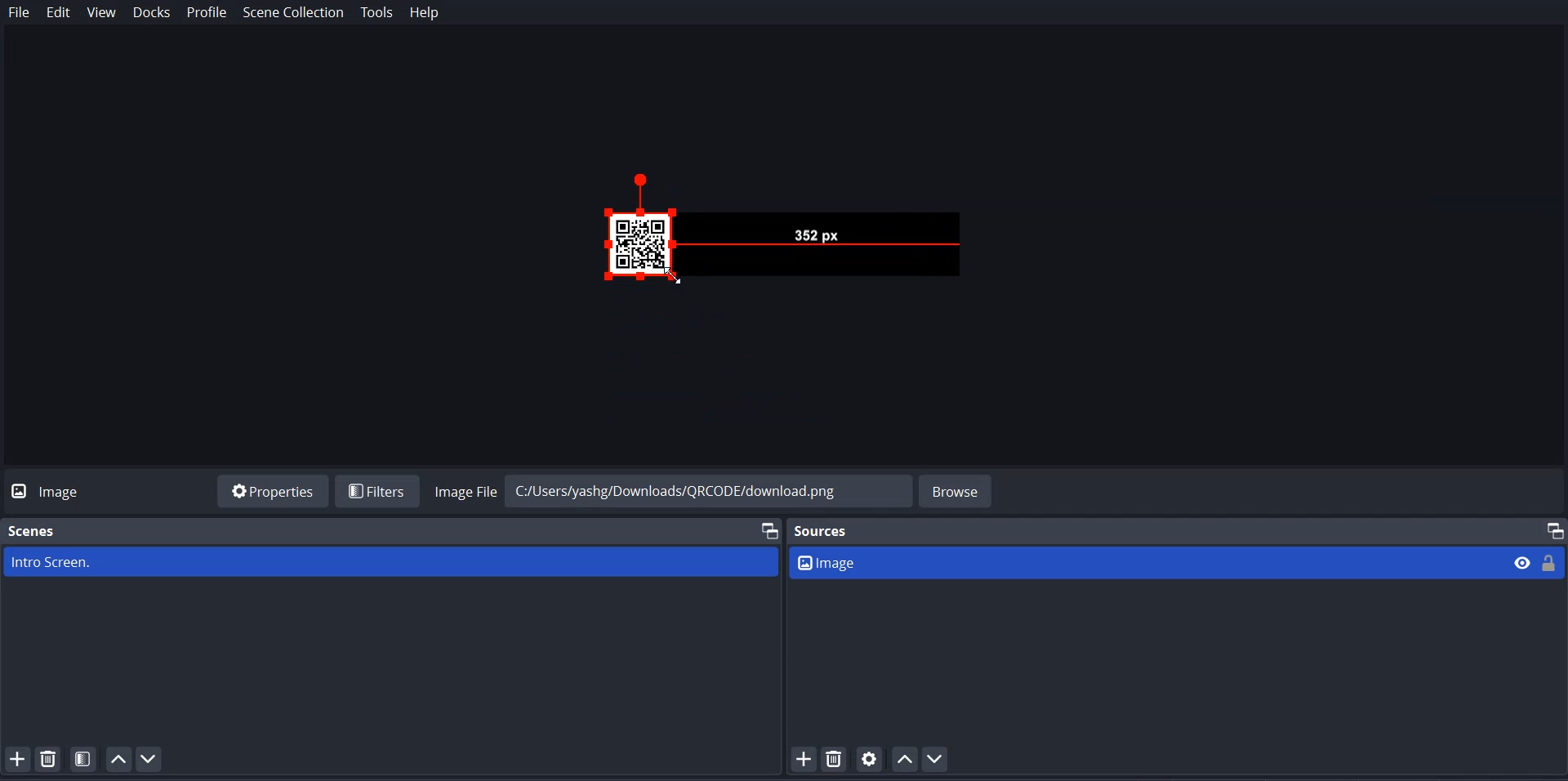 The image size is (1568, 781). Describe the element at coordinates (1147, 562) in the screenshot. I see `Image` at that location.